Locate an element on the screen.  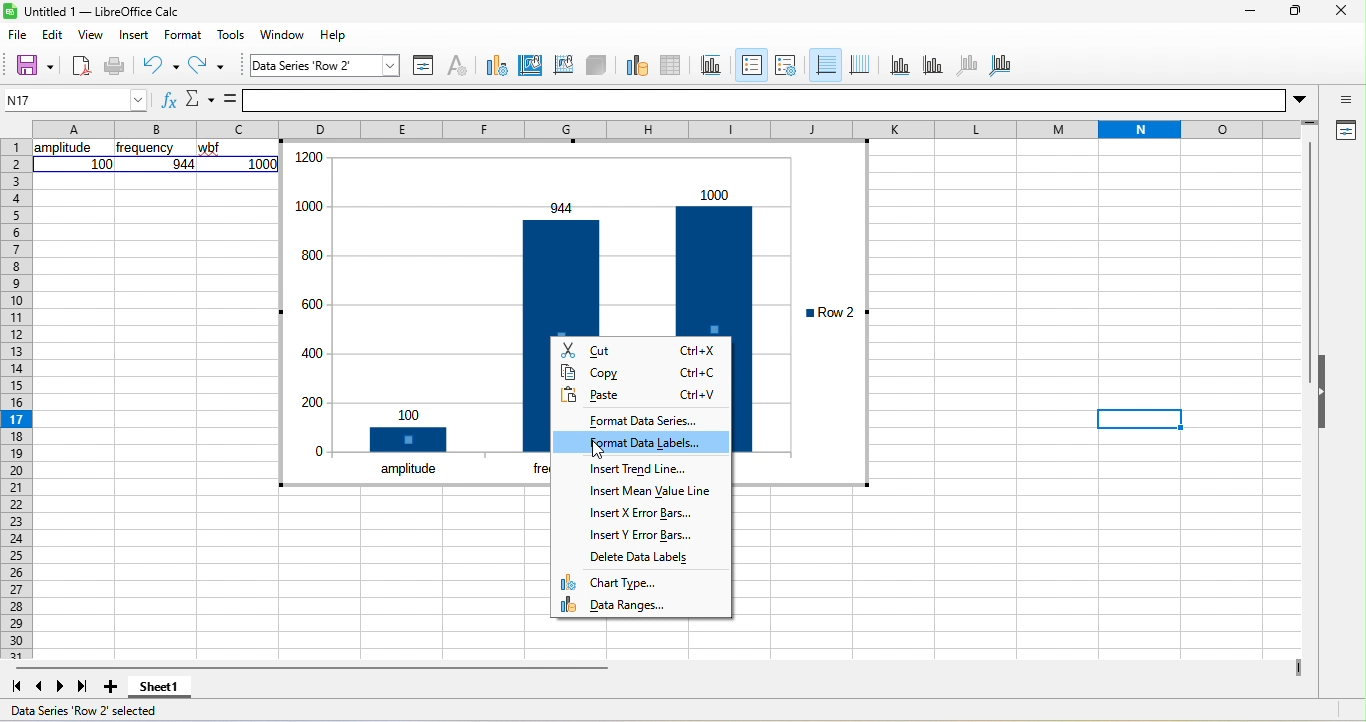
format is located at coordinates (183, 35).